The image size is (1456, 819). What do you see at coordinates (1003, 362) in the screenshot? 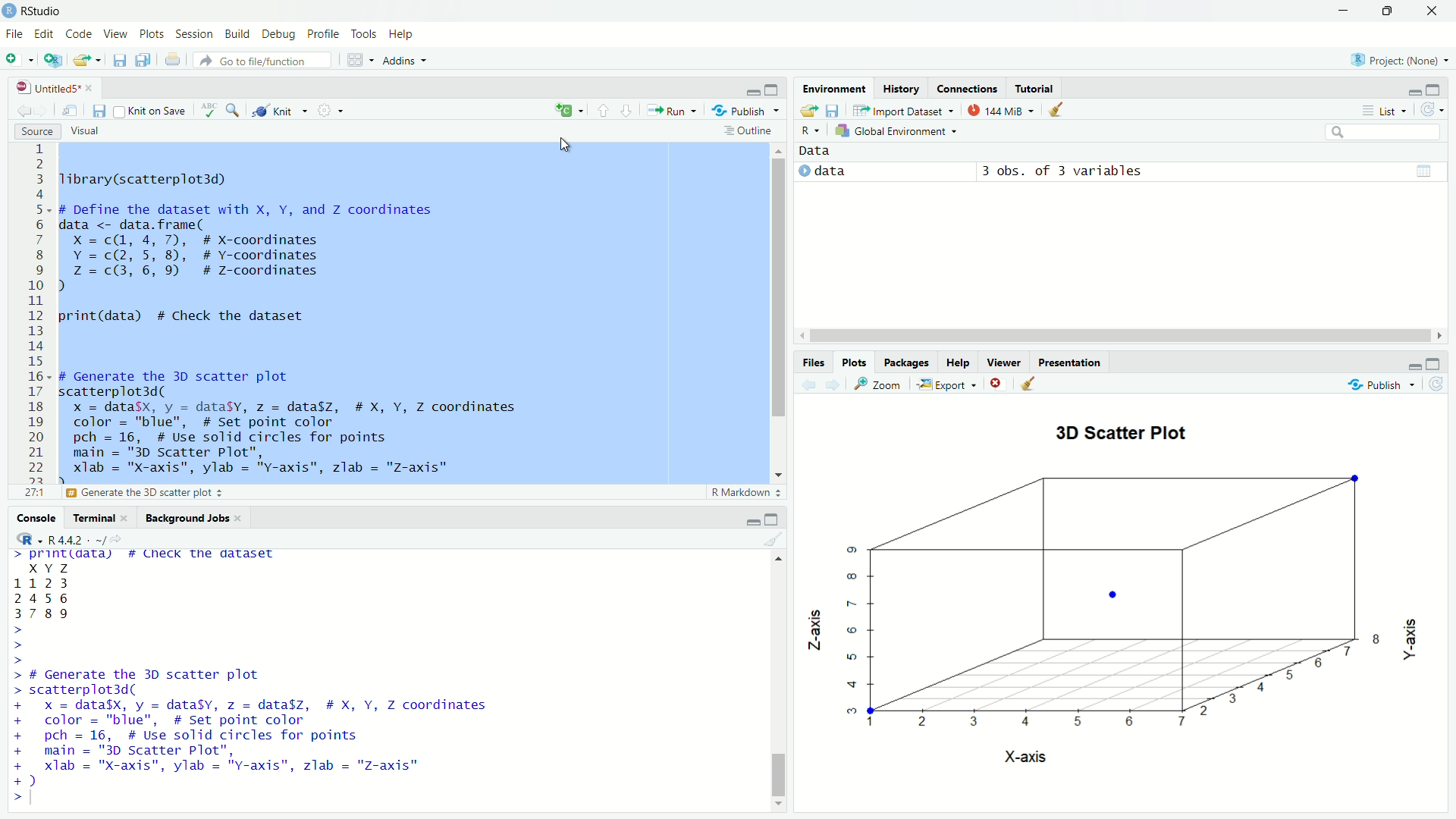
I see `viewer` at bounding box center [1003, 362].